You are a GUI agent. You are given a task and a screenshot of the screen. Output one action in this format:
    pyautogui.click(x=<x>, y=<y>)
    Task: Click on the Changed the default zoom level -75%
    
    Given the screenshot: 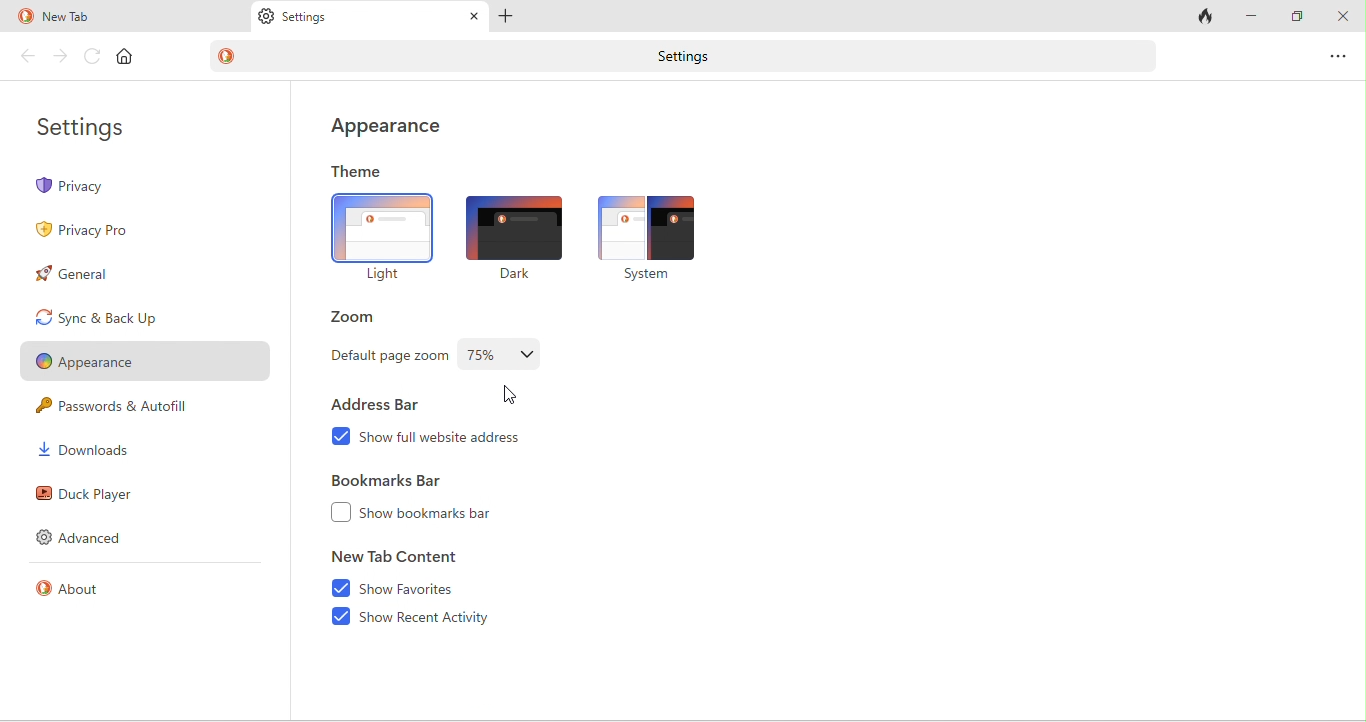 What is the action you would take?
    pyautogui.click(x=505, y=353)
    